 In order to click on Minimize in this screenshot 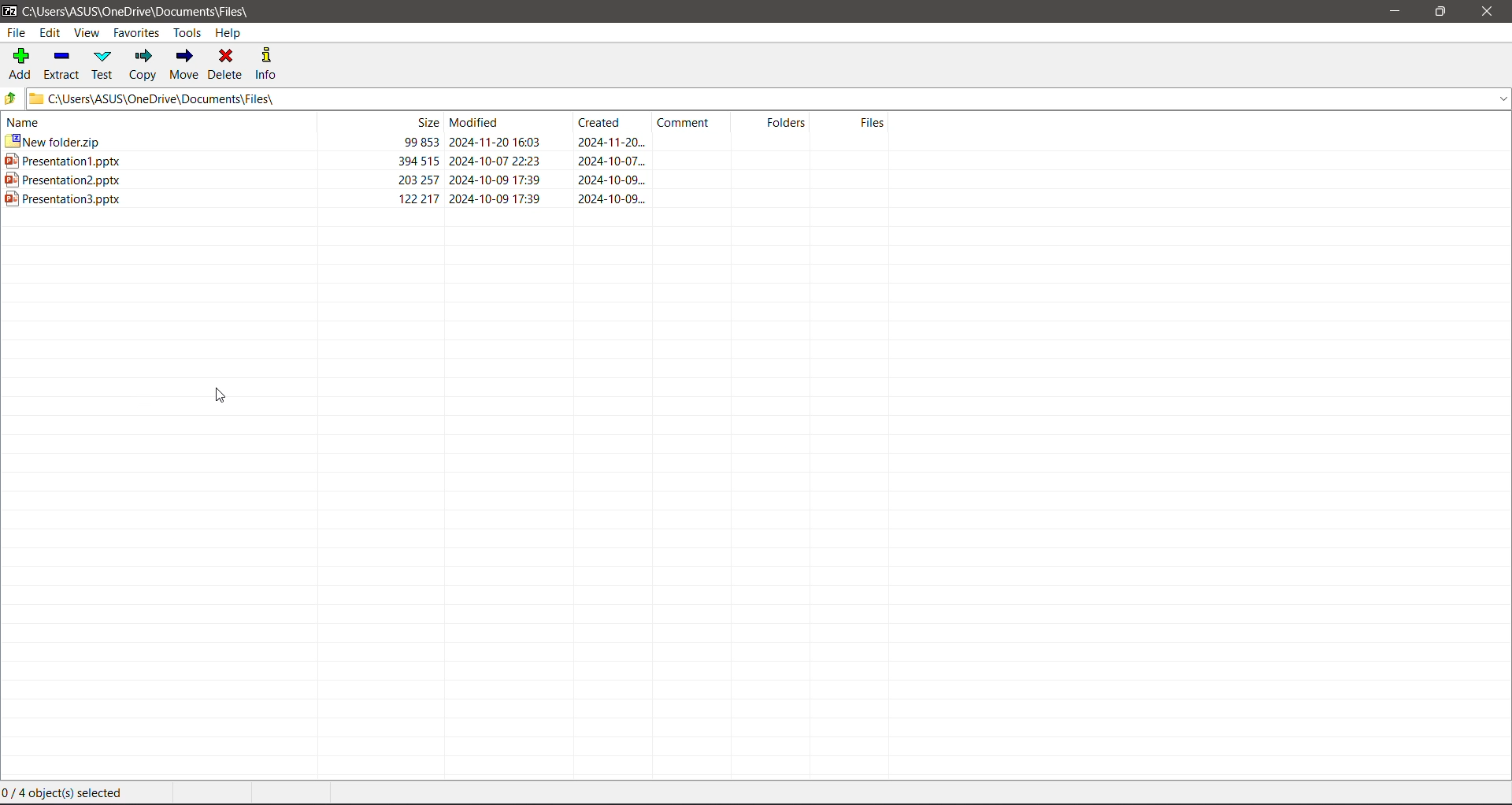, I will do `click(1395, 12)`.